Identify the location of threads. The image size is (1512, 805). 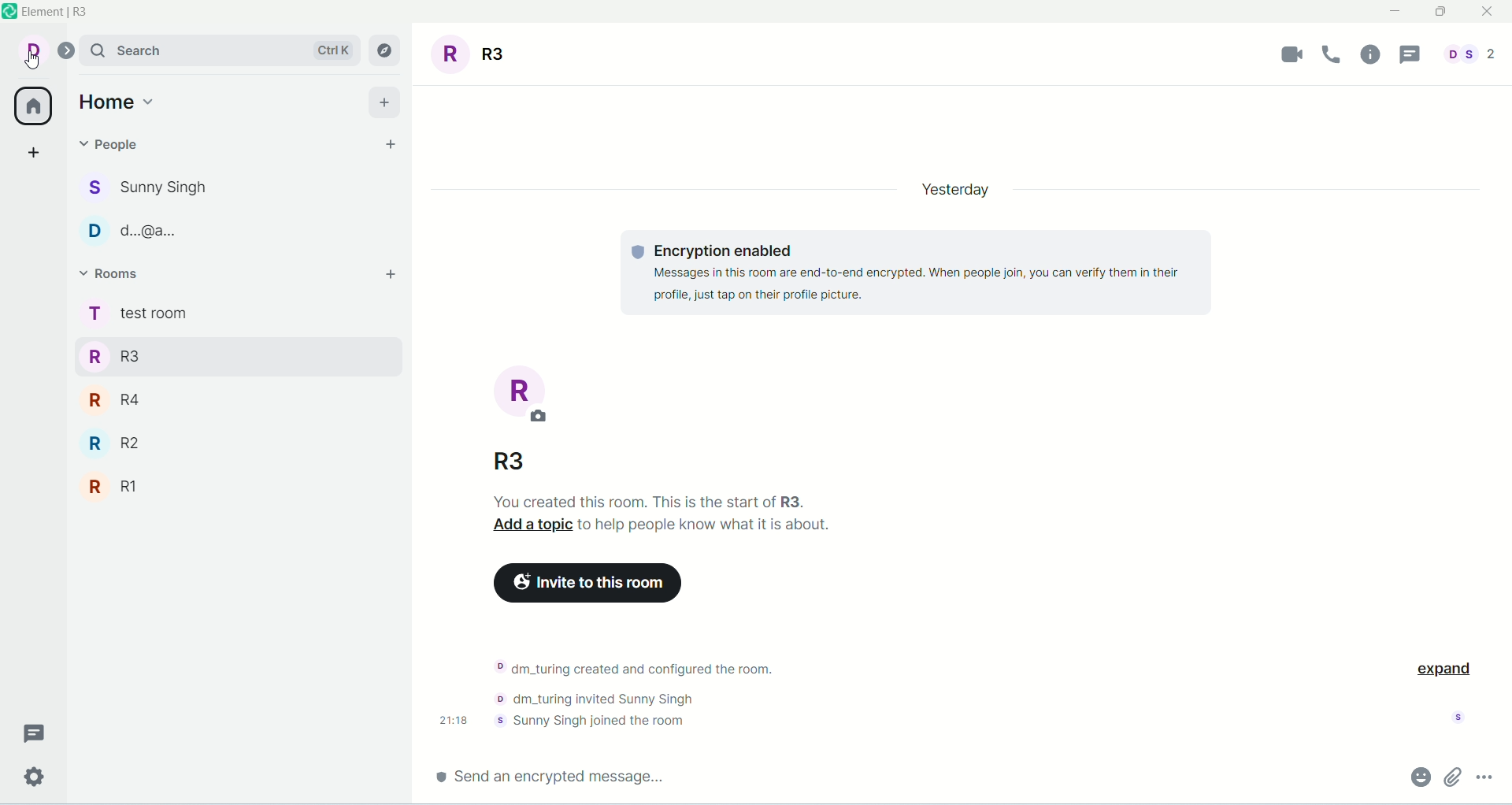
(34, 730).